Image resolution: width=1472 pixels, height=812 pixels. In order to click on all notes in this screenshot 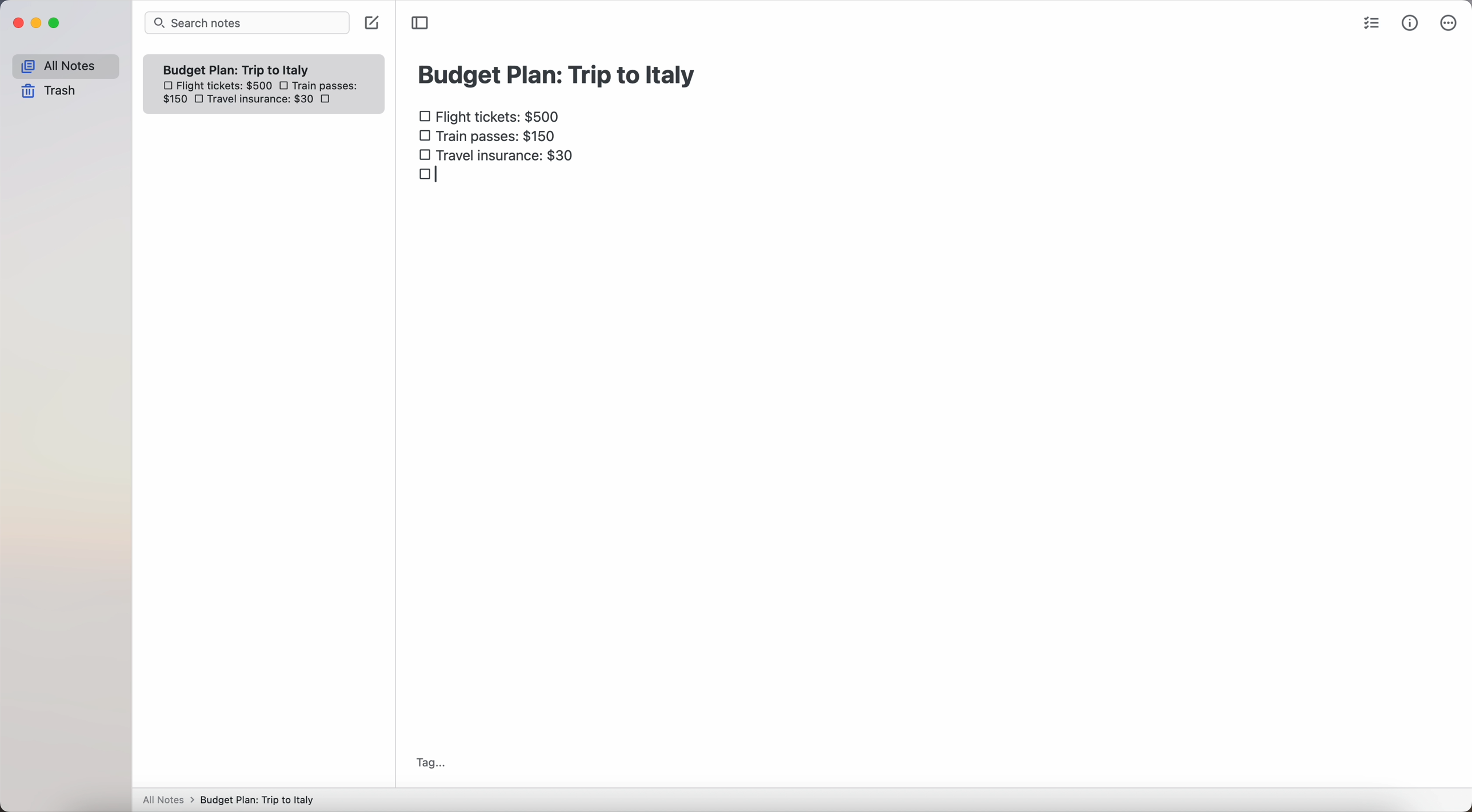, I will do `click(65, 66)`.